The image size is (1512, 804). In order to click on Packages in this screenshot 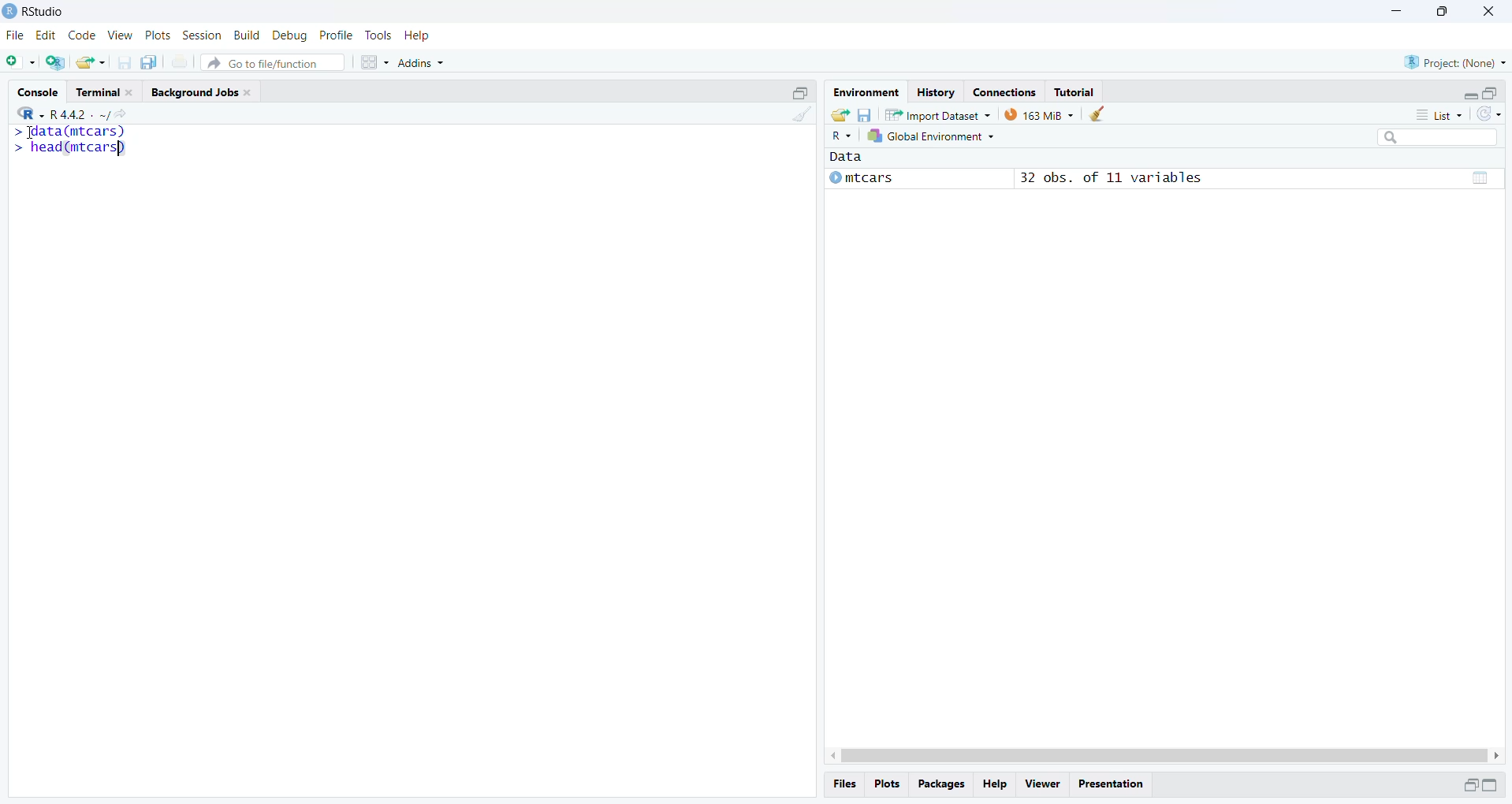, I will do `click(944, 784)`.